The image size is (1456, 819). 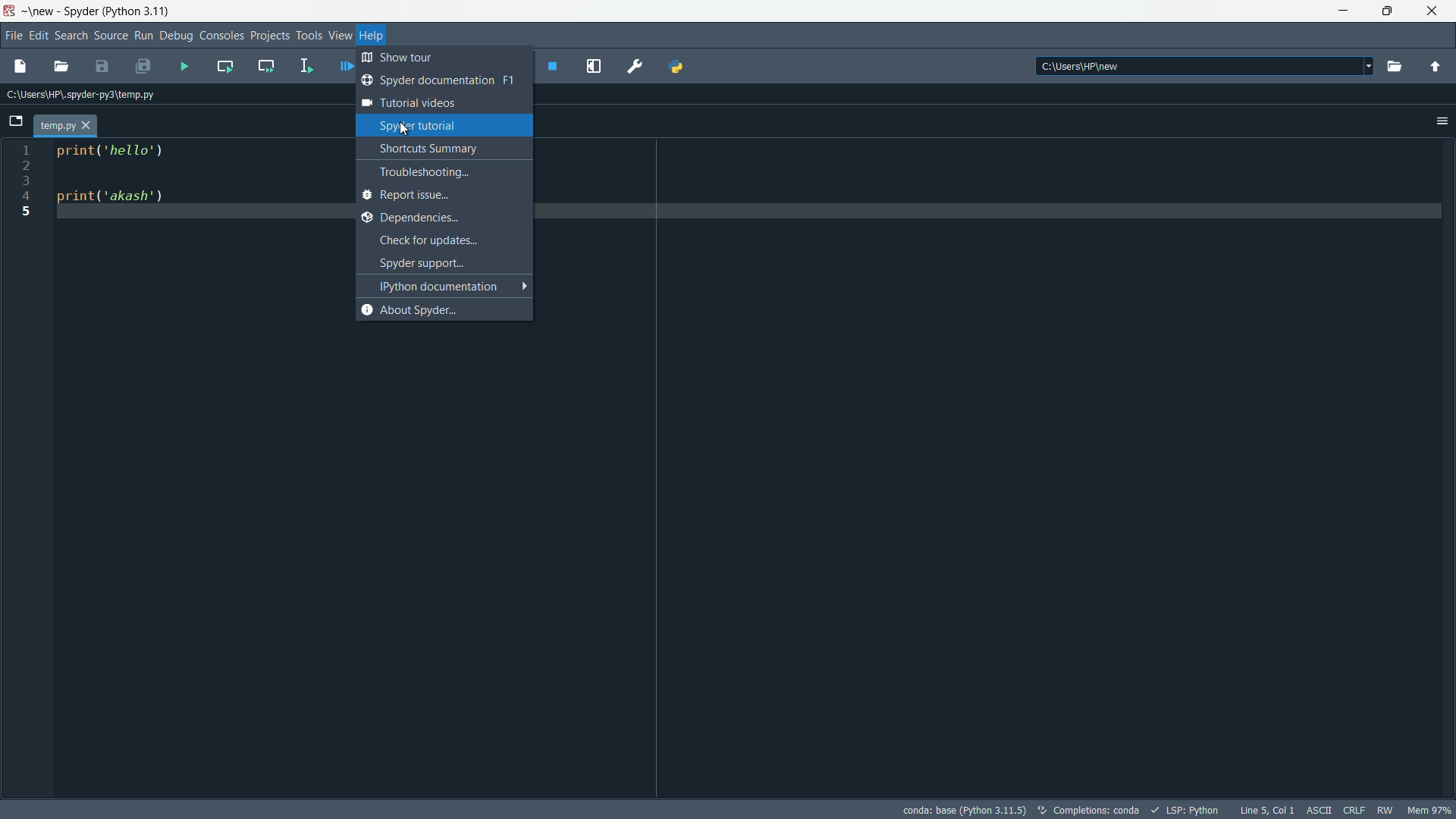 What do you see at coordinates (1386, 810) in the screenshot?
I see `rw` at bounding box center [1386, 810].